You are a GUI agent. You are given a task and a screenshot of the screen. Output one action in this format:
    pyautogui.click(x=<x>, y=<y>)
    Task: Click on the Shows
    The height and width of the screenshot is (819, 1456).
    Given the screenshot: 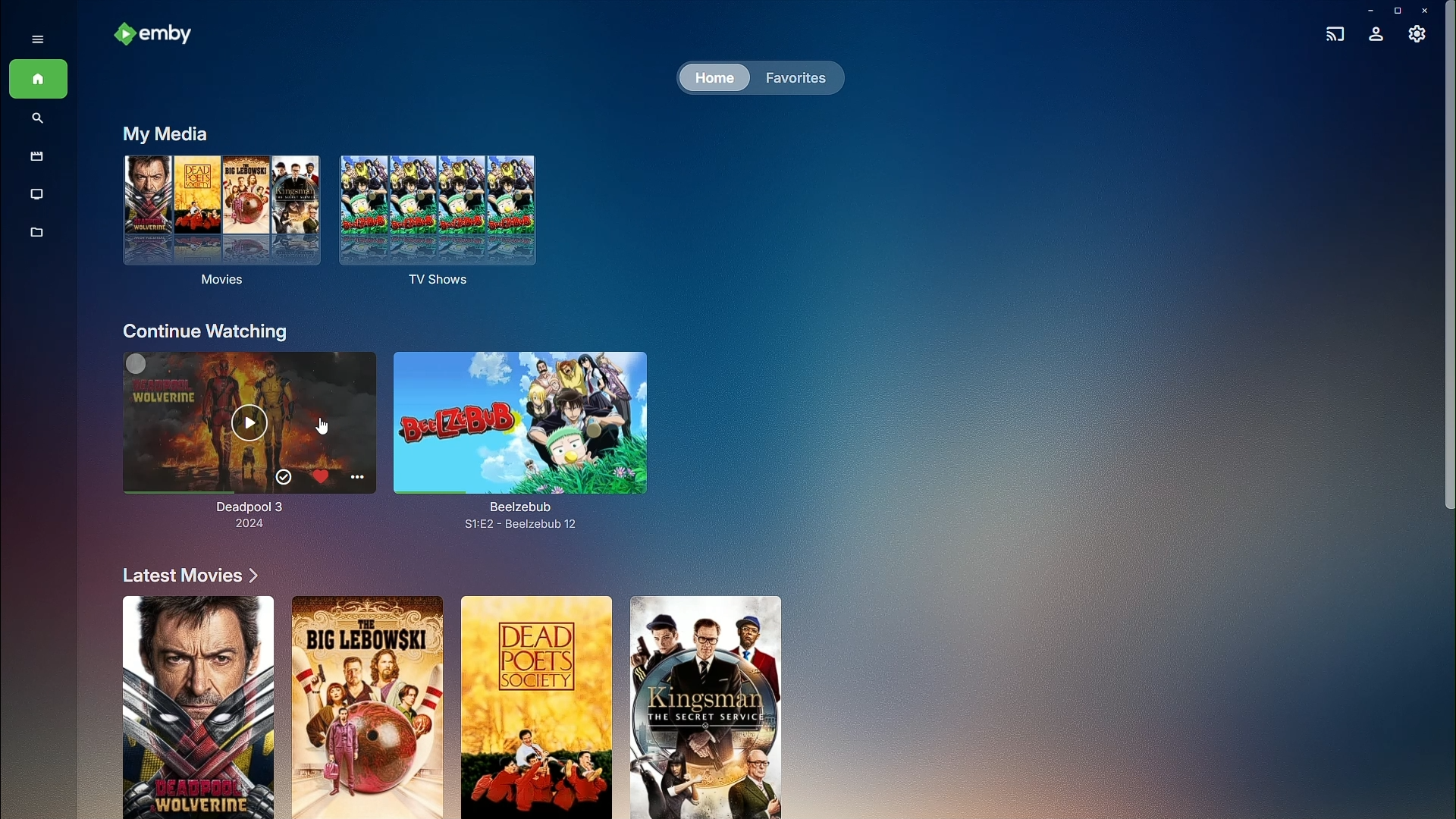 What is the action you would take?
    pyautogui.click(x=34, y=193)
    